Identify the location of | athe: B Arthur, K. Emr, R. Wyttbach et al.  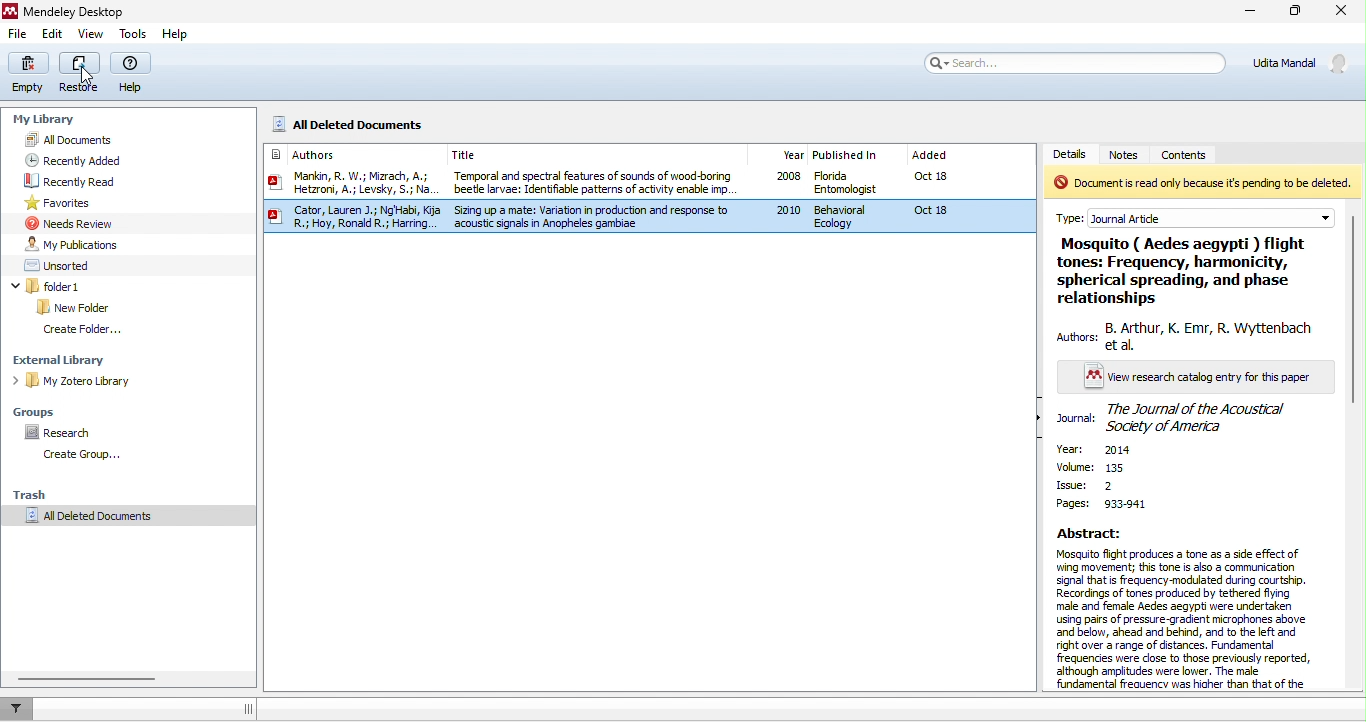
(1184, 336).